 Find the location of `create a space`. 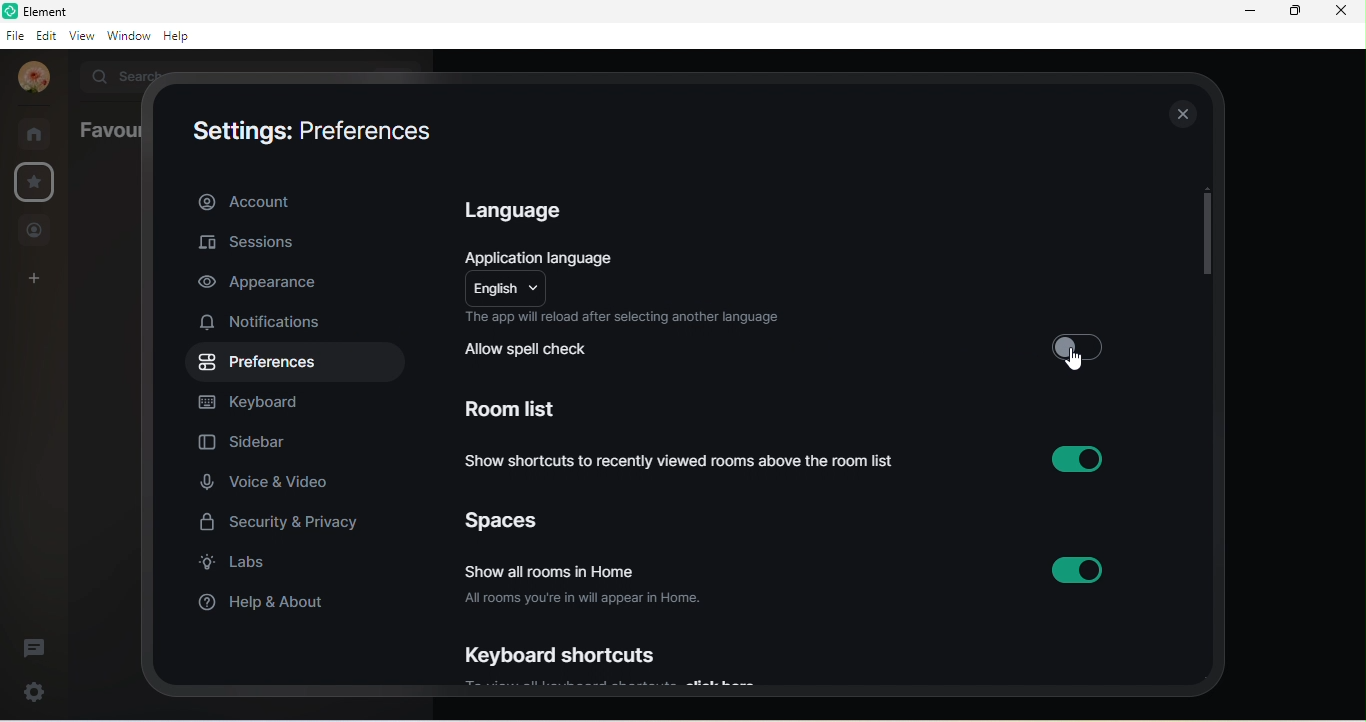

create a space is located at coordinates (31, 280).